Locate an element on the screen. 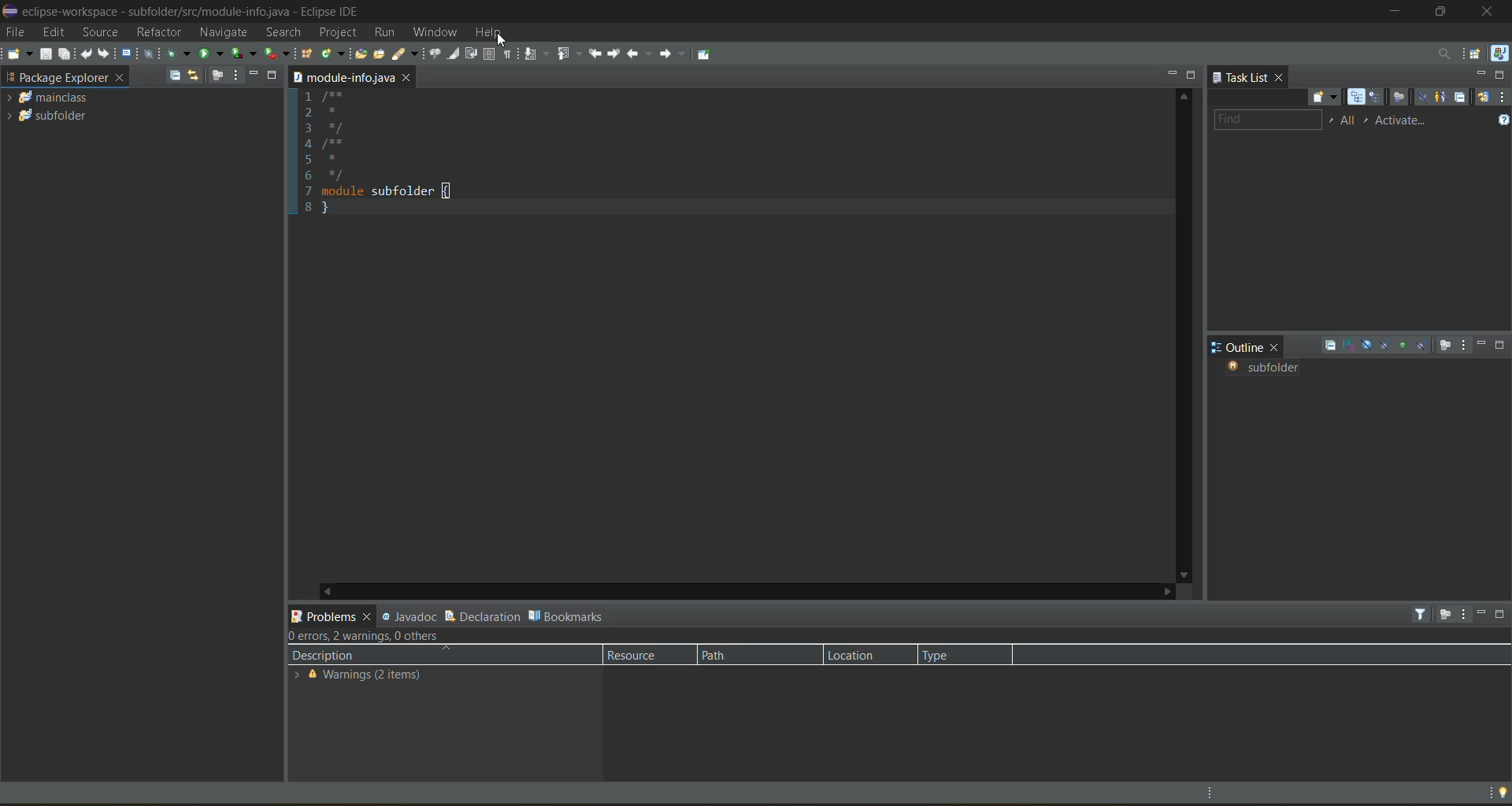 The width and height of the screenshot is (1512, 806). new java package is located at coordinates (307, 54).